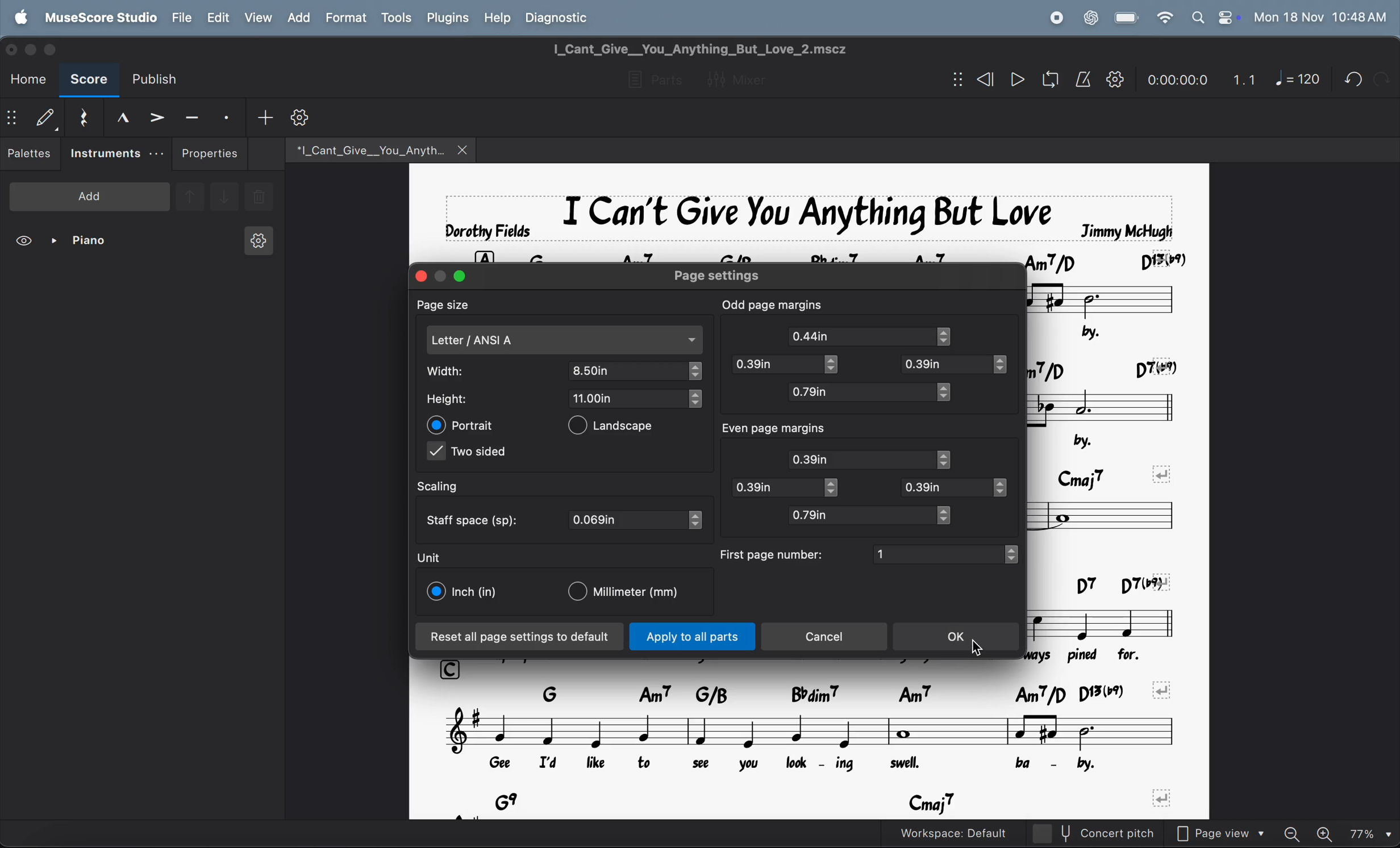 This screenshot has height=848, width=1400. Describe the element at coordinates (1113, 470) in the screenshot. I see `chord symbols` at that location.